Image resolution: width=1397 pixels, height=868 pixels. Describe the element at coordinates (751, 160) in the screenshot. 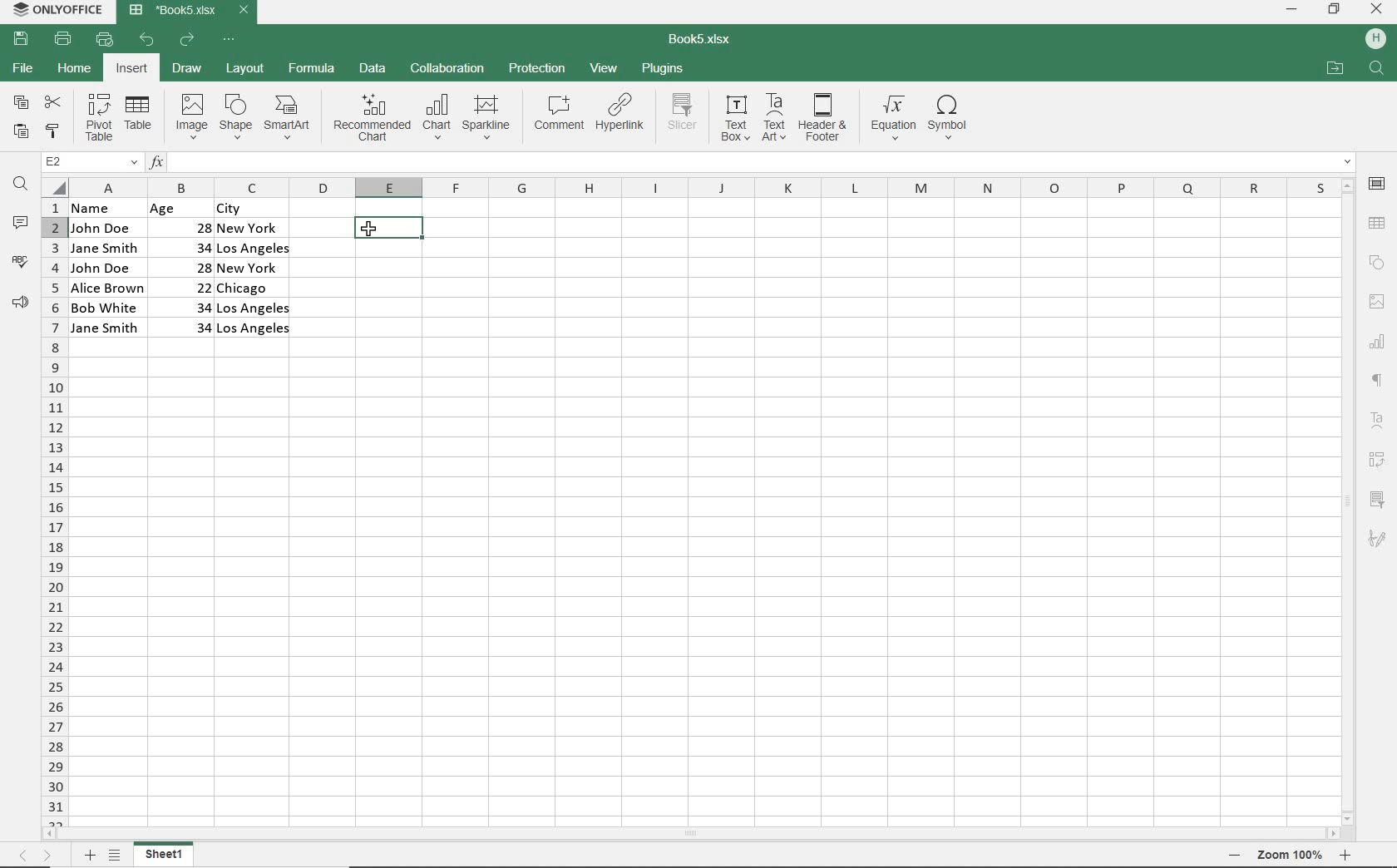

I see `INPUT FUNCTION` at that location.